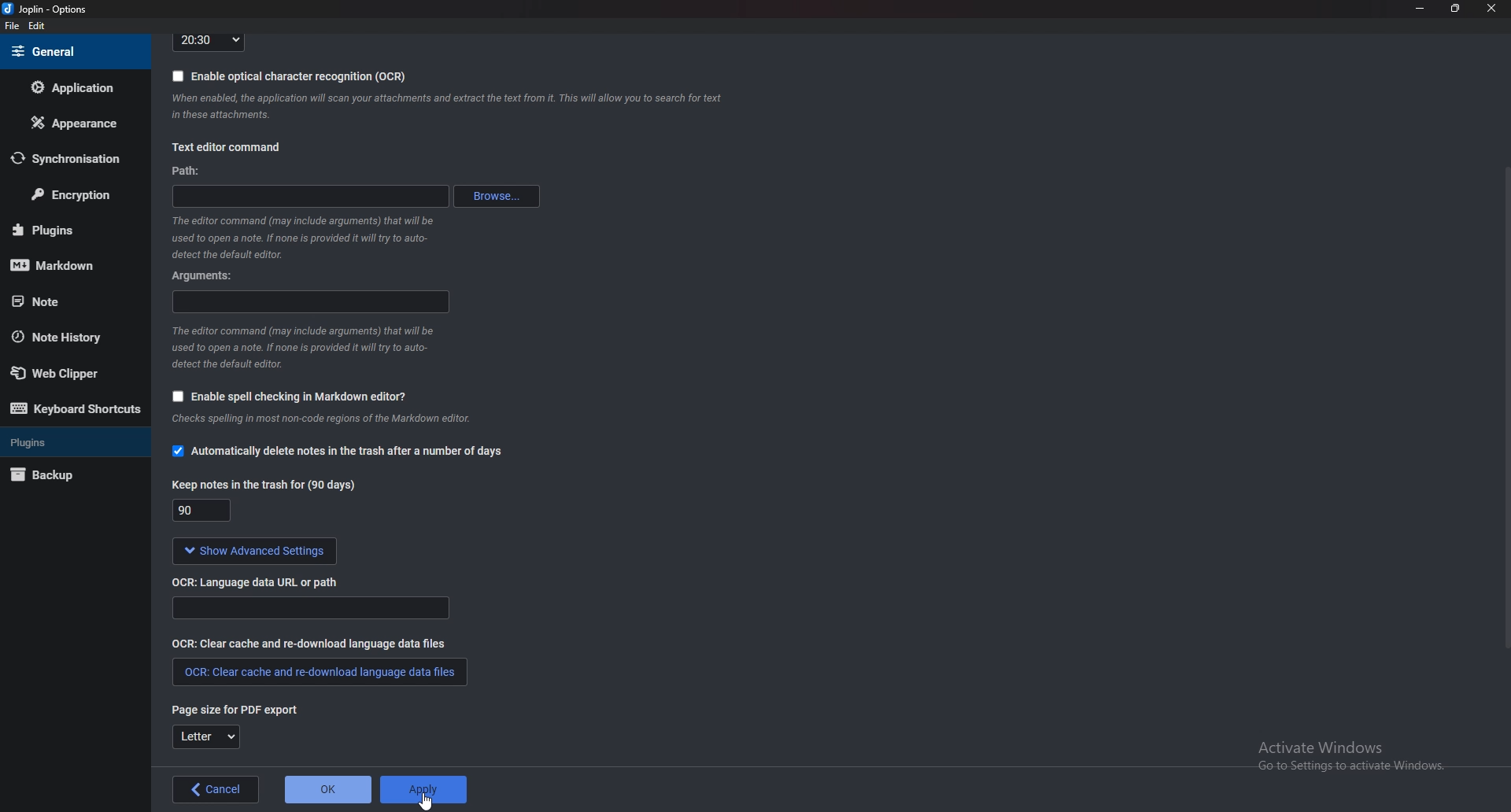  I want to click on Arguments, so click(209, 275).